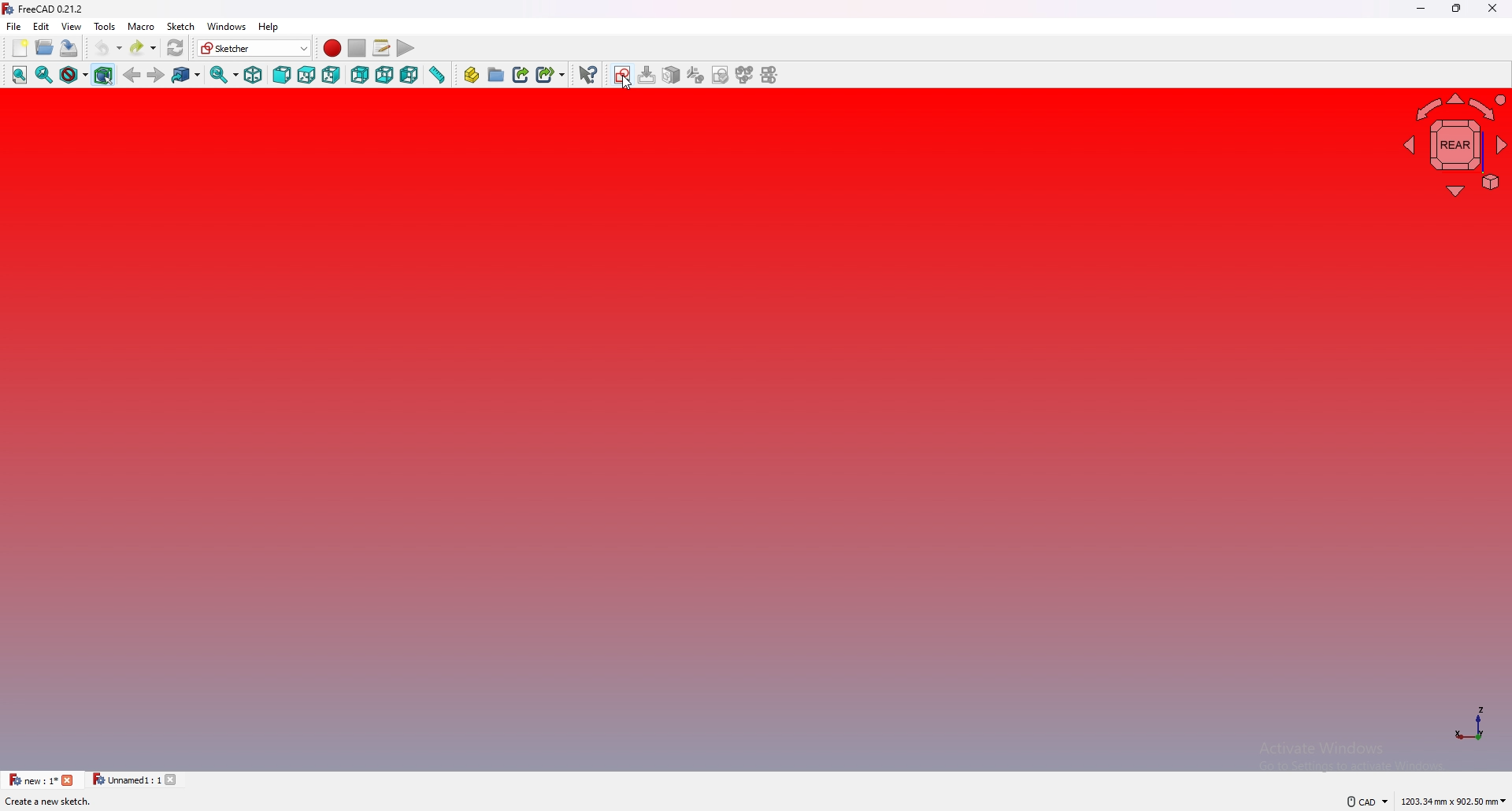  Describe the element at coordinates (406, 48) in the screenshot. I see `execute macro` at that location.